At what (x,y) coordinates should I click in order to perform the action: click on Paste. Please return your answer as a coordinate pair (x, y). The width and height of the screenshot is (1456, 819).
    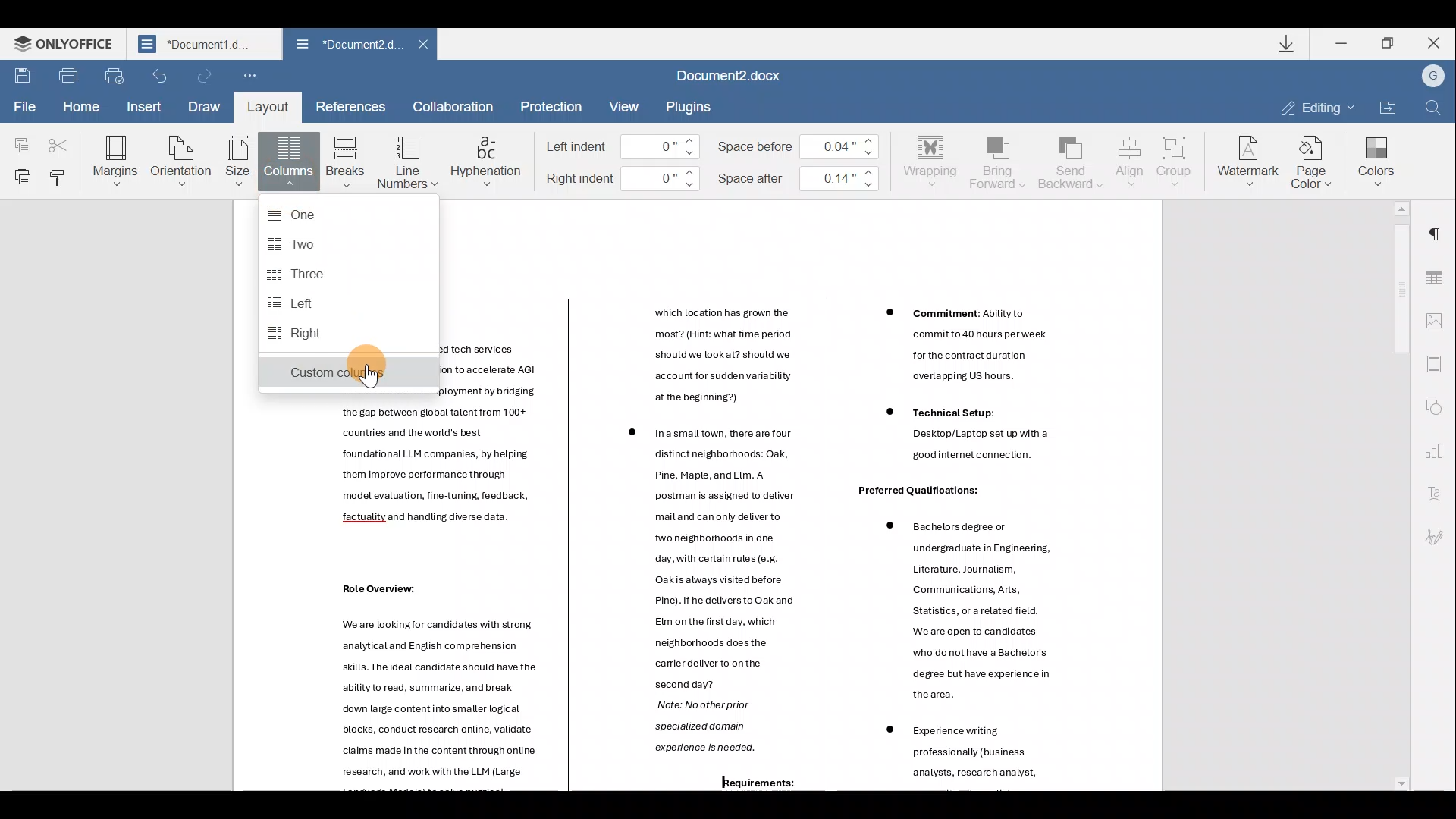
    Looking at the image, I should click on (19, 175).